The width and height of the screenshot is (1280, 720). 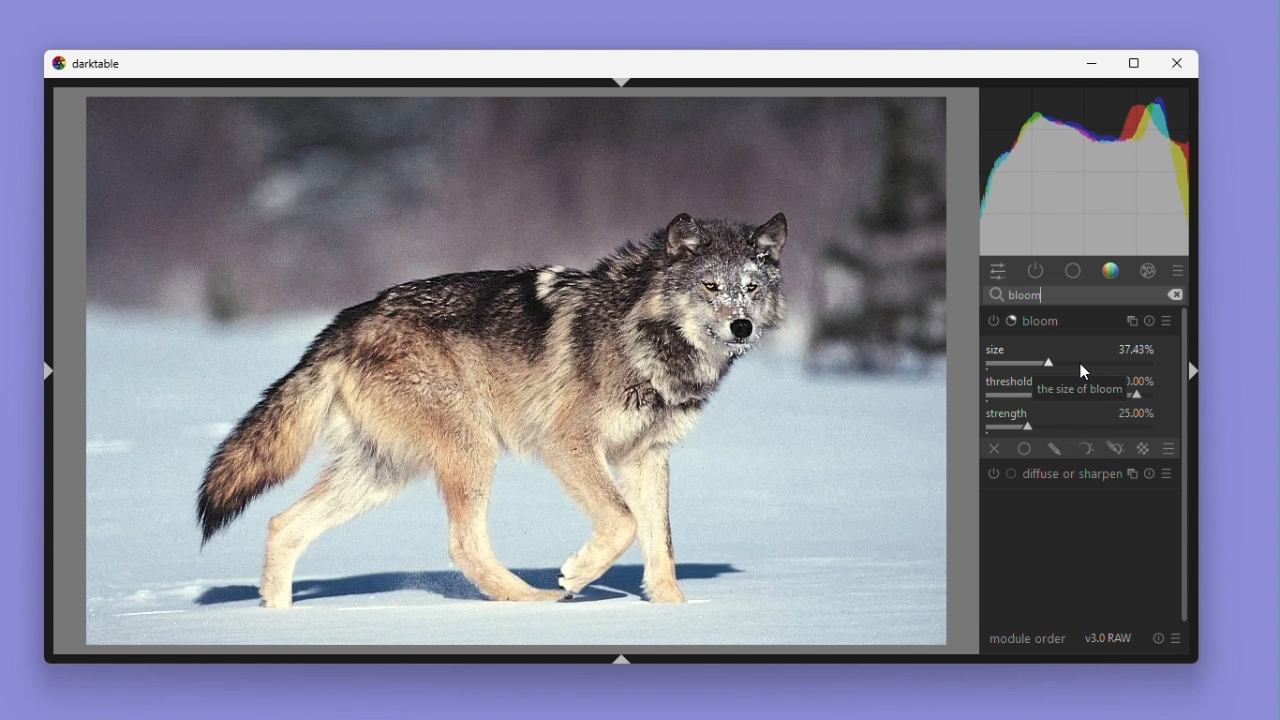 What do you see at coordinates (1035, 271) in the screenshot?
I see `Show only active modules` at bounding box center [1035, 271].